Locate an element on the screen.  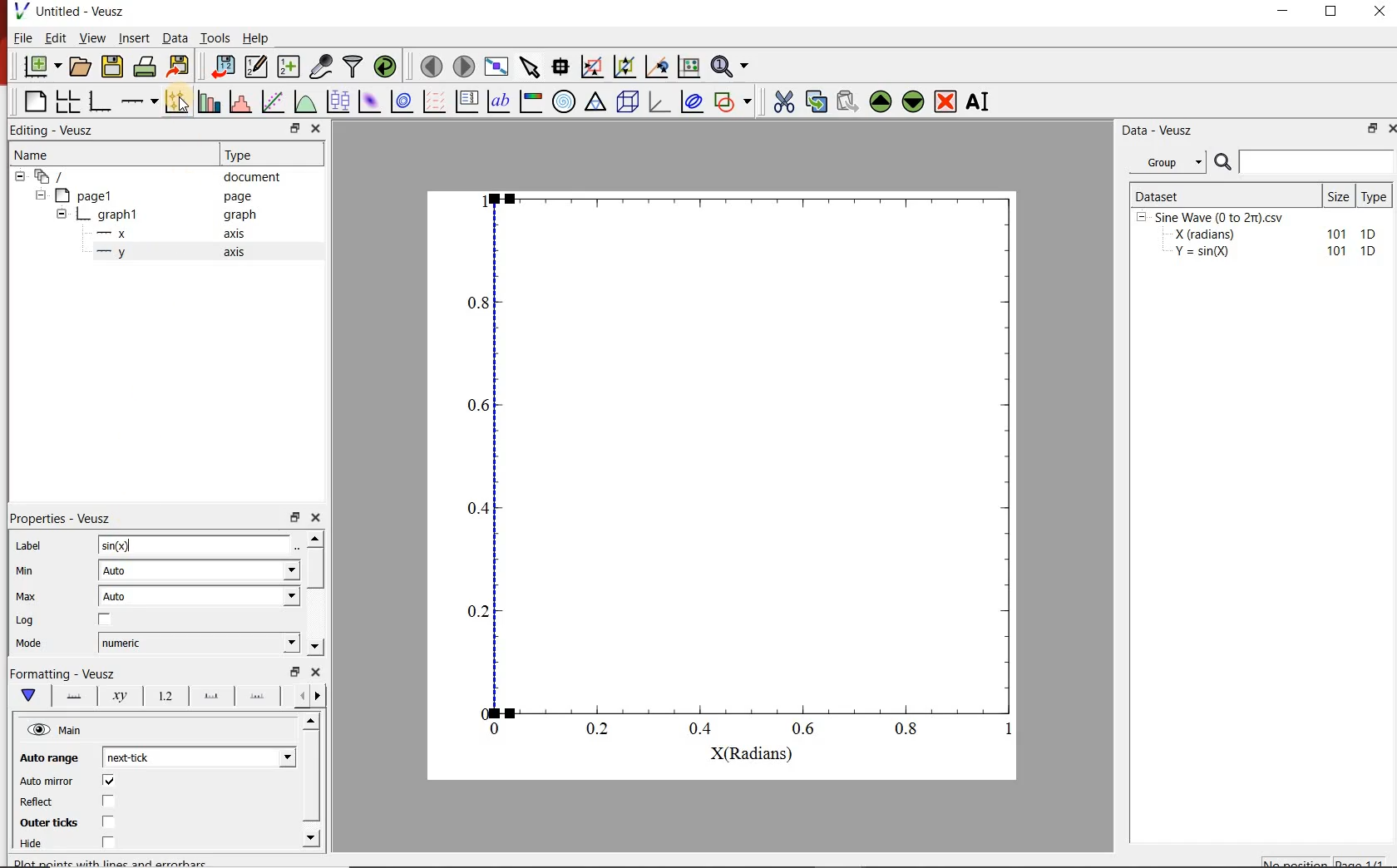
move down is located at coordinates (914, 103).